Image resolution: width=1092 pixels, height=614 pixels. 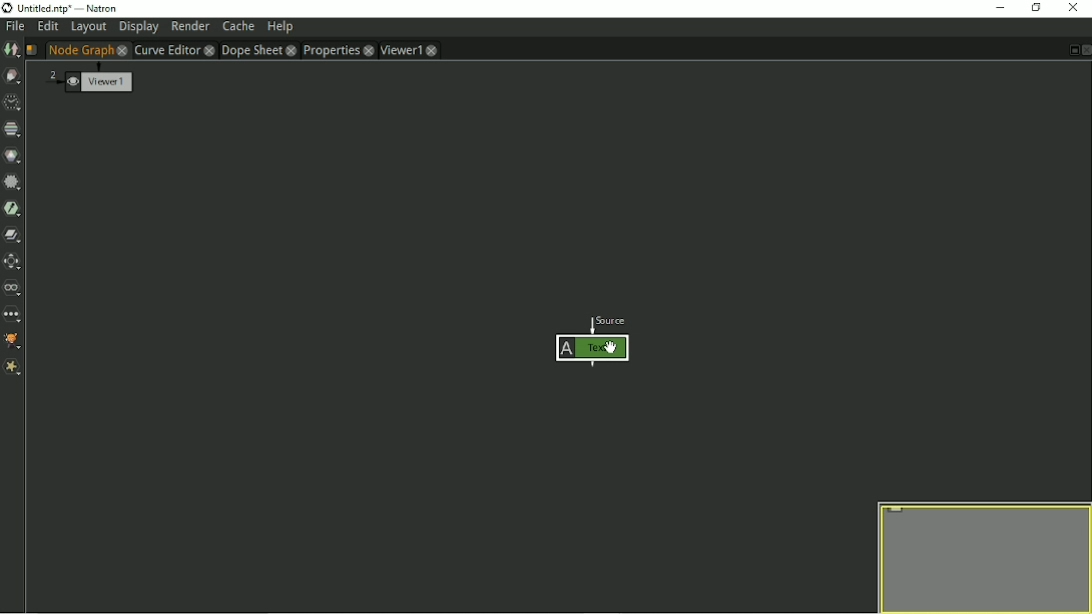 I want to click on Node, so click(x=600, y=343).